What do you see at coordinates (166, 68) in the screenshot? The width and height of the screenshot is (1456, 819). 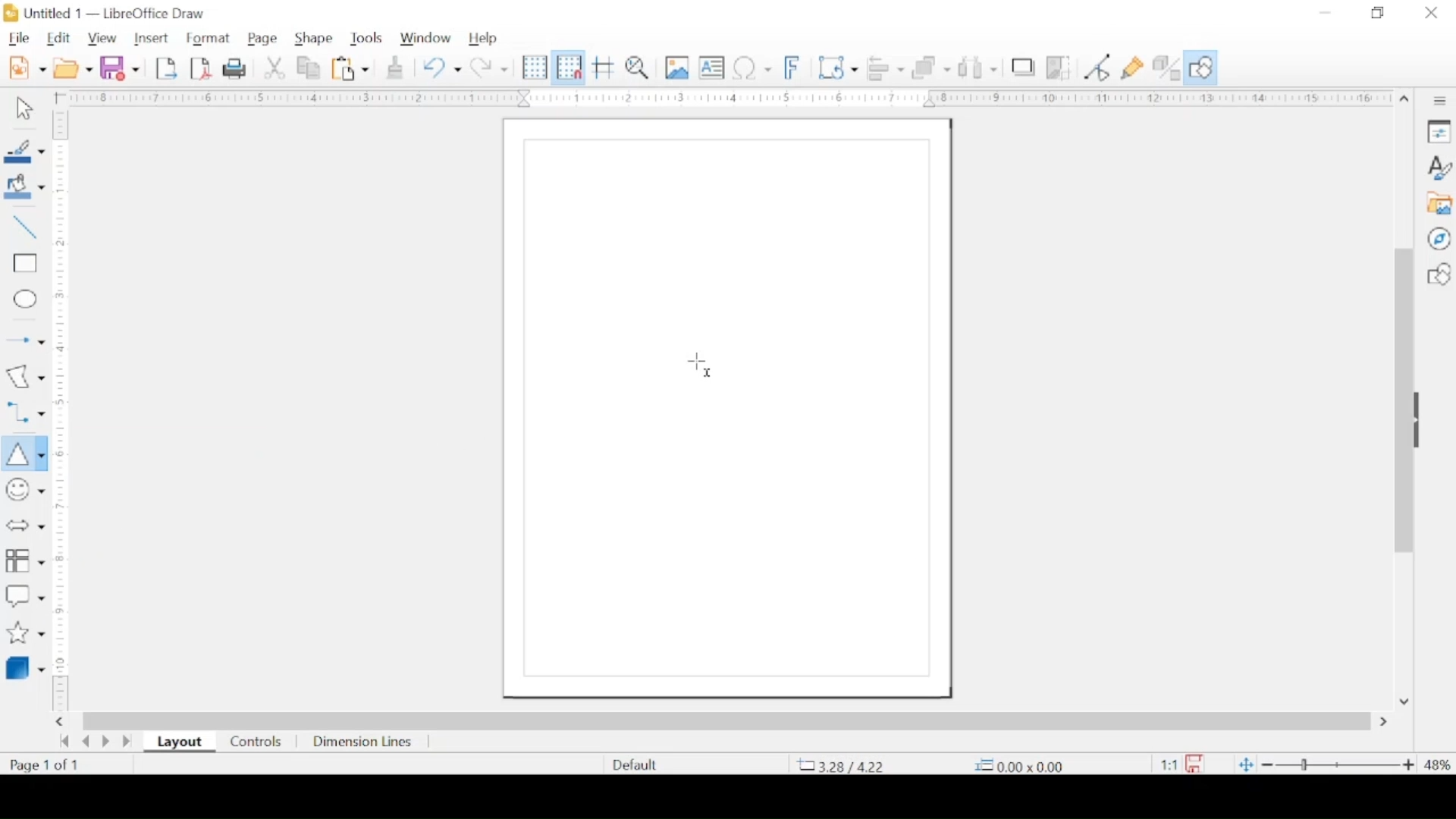 I see `export` at bounding box center [166, 68].